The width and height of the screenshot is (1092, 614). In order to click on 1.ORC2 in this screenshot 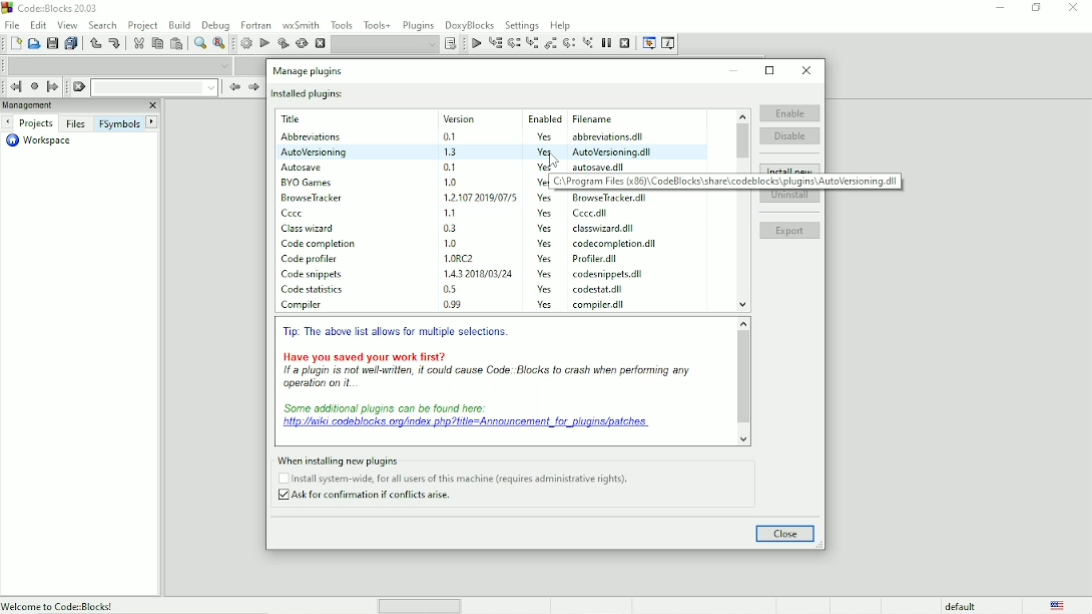, I will do `click(463, 258)`.